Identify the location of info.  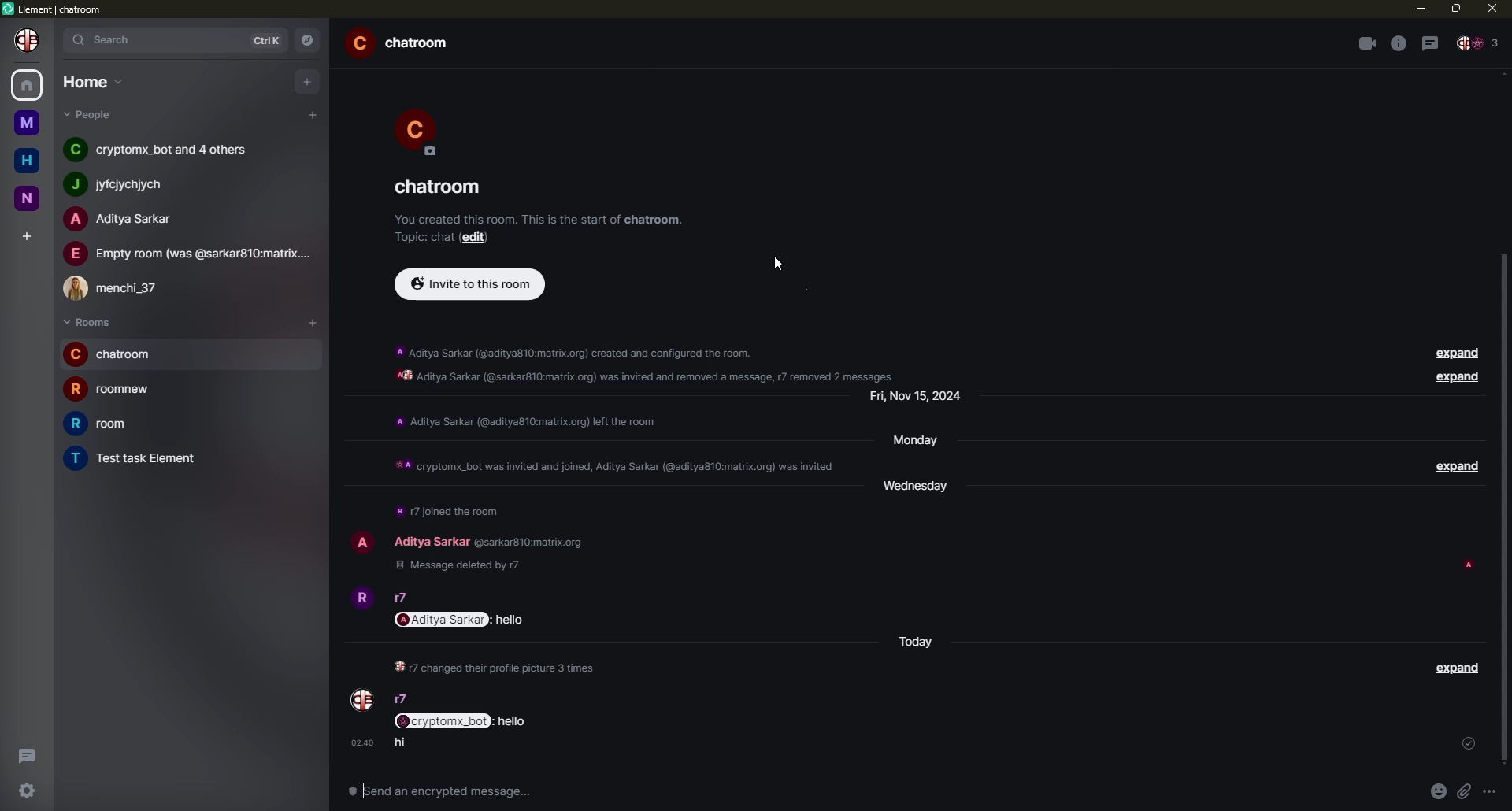
(447, 513).